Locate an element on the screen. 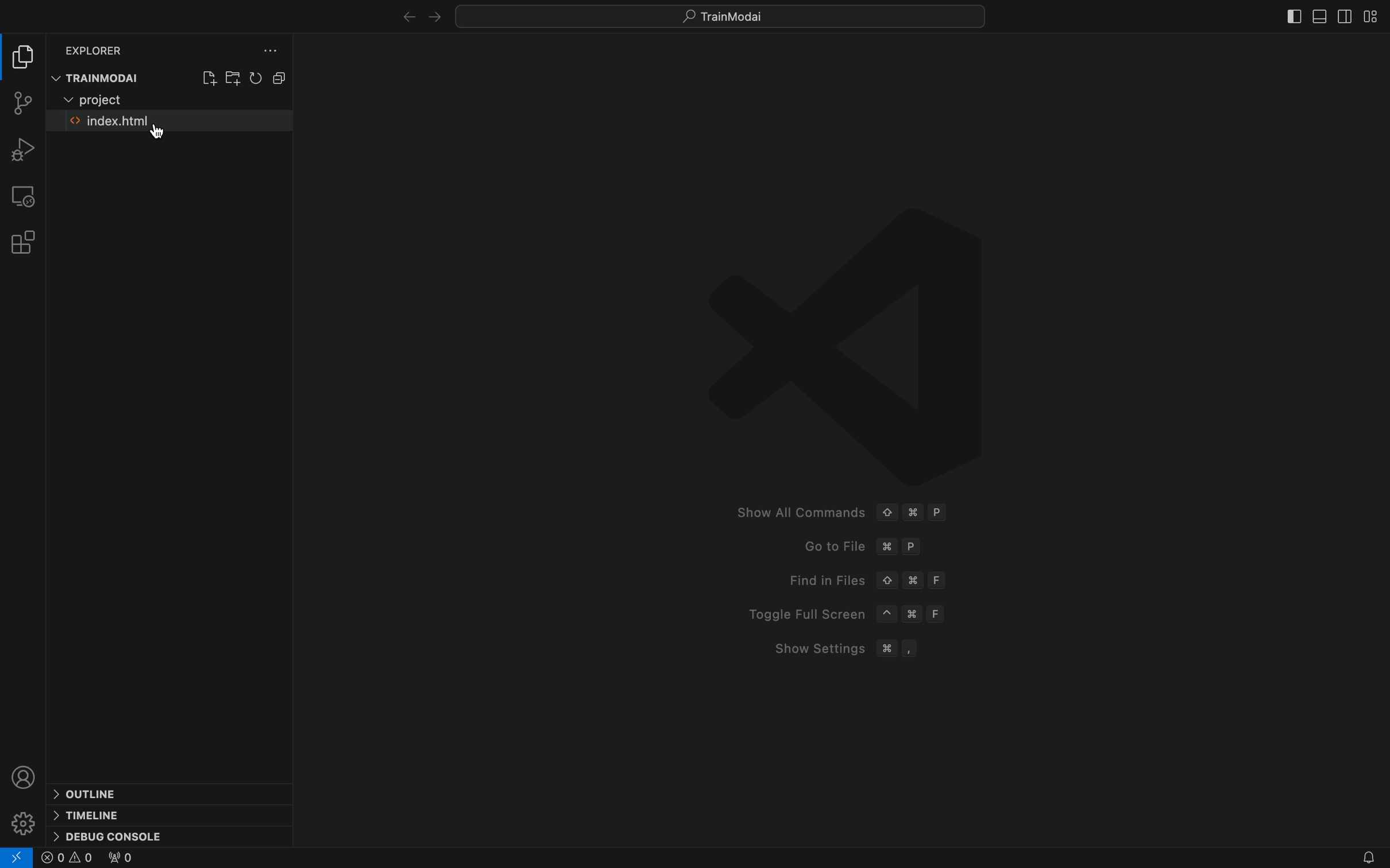 This screenshot has height=868, width=1390. bookmark is located at coordinates (1342, 15).